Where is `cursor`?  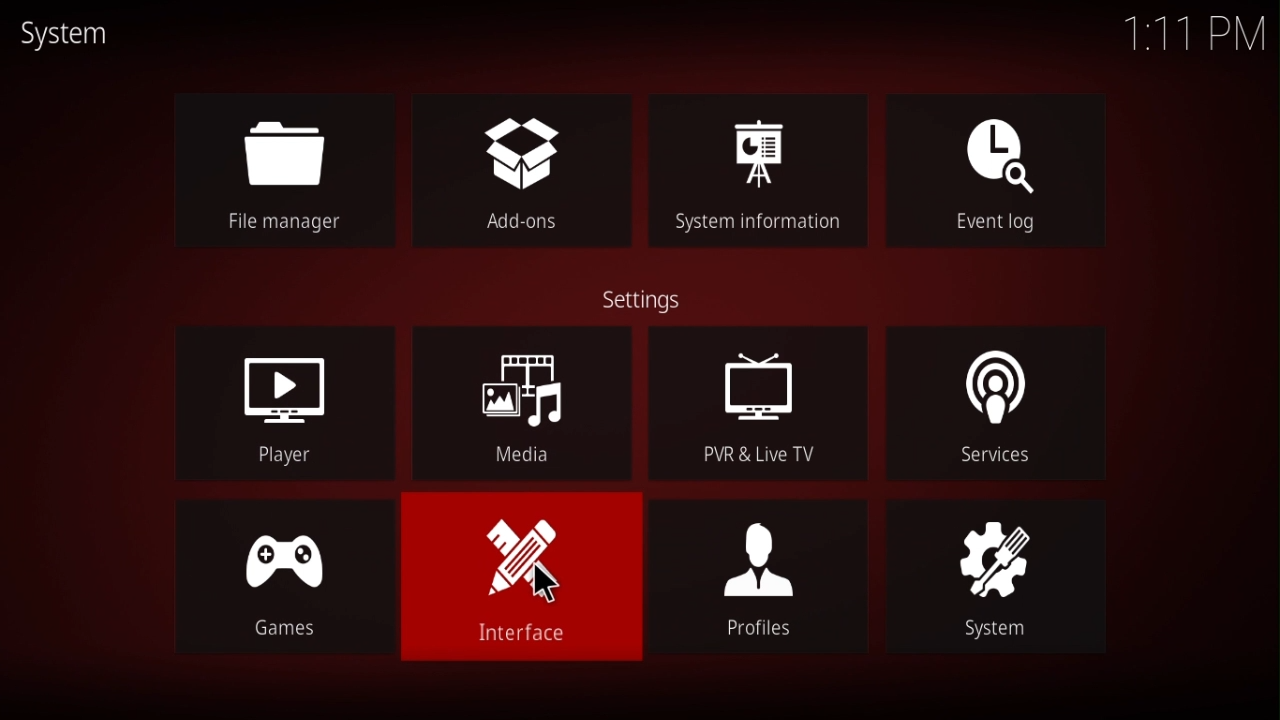 cursor is located at coordinates (552, 582).